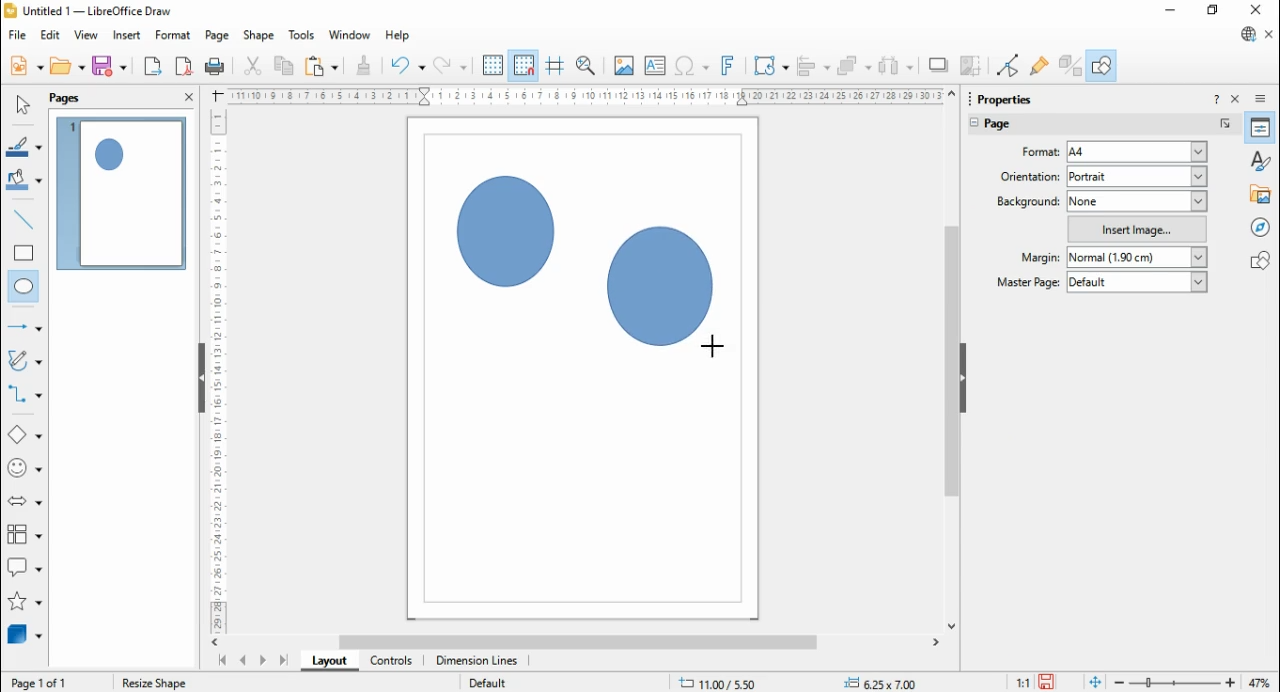  I want to click on styles, so click(1262, 159).